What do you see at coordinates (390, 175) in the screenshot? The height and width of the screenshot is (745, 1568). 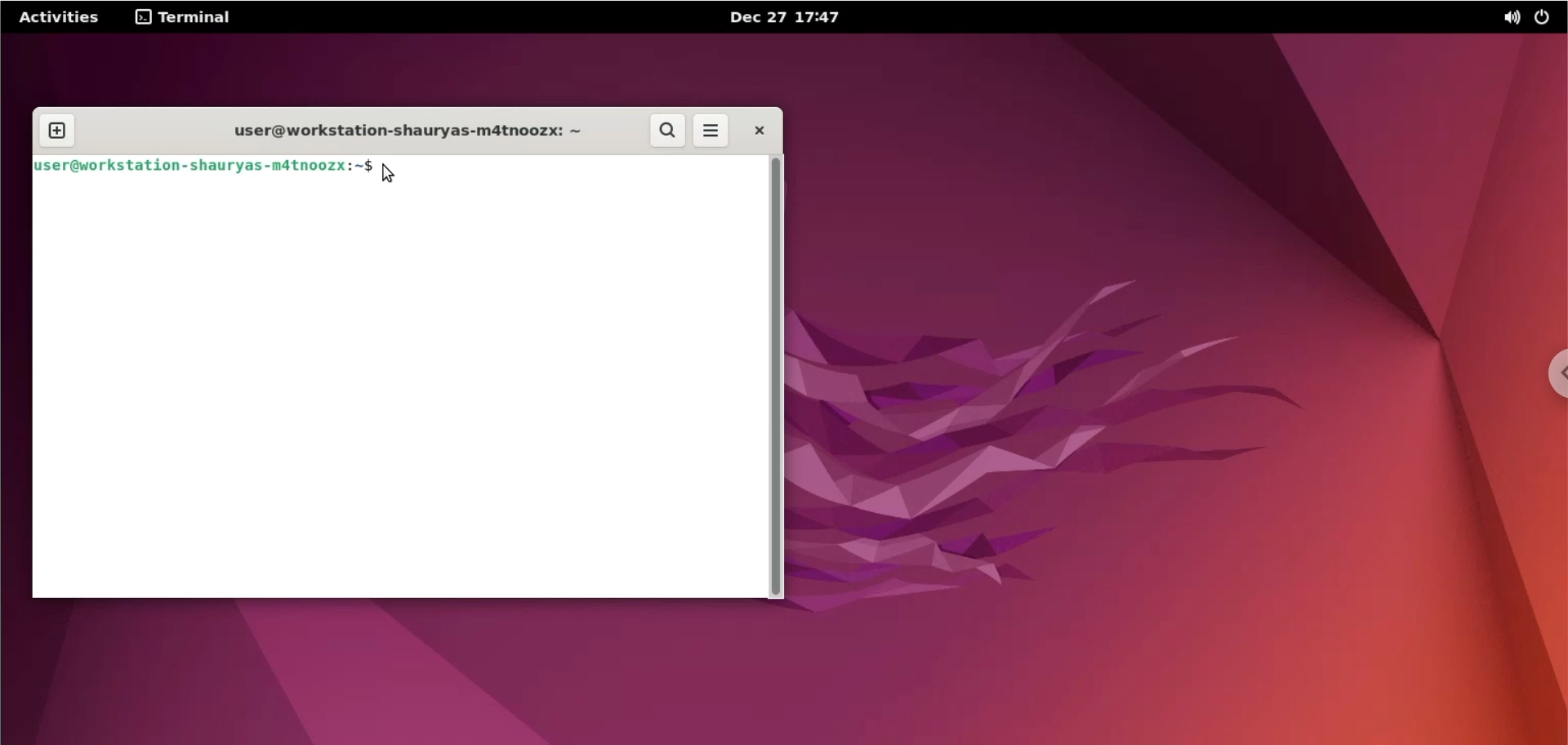 I see `mouse pointer` at bounding box center [390, 175].